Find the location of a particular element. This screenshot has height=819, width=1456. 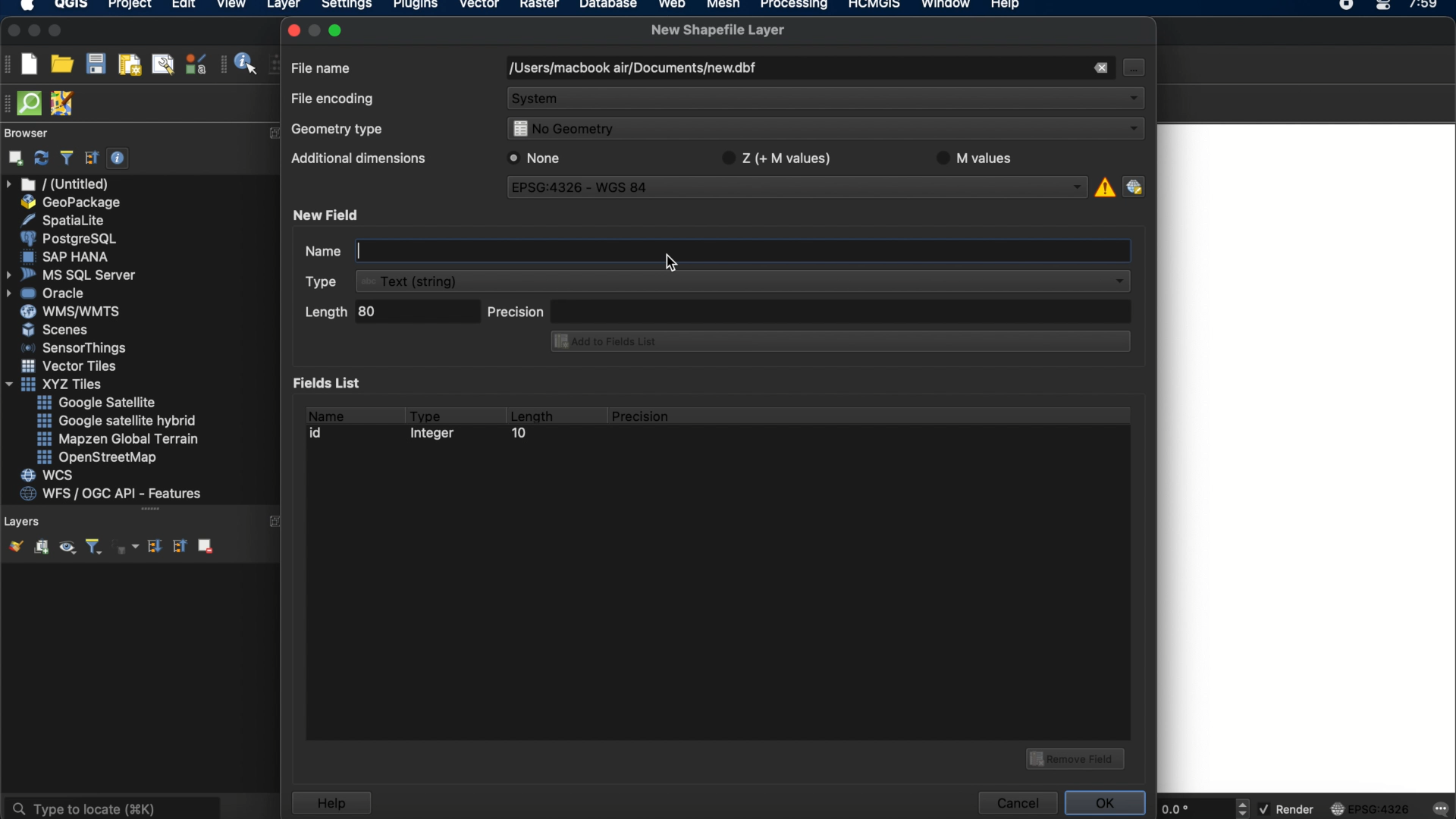

google satellite hybrid is located at coordinates (118, 421).